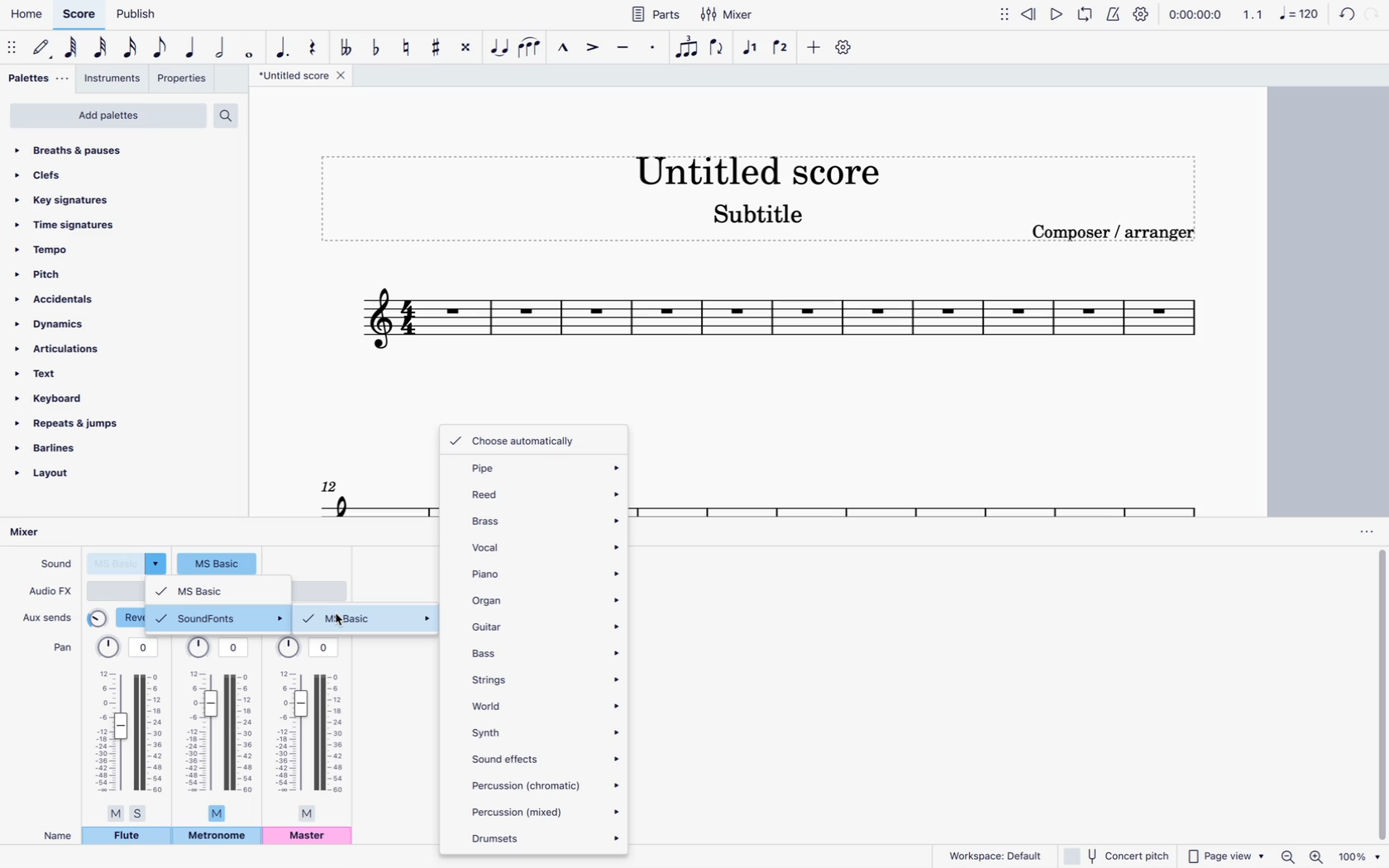  I want to click on move, so click(13, 46).